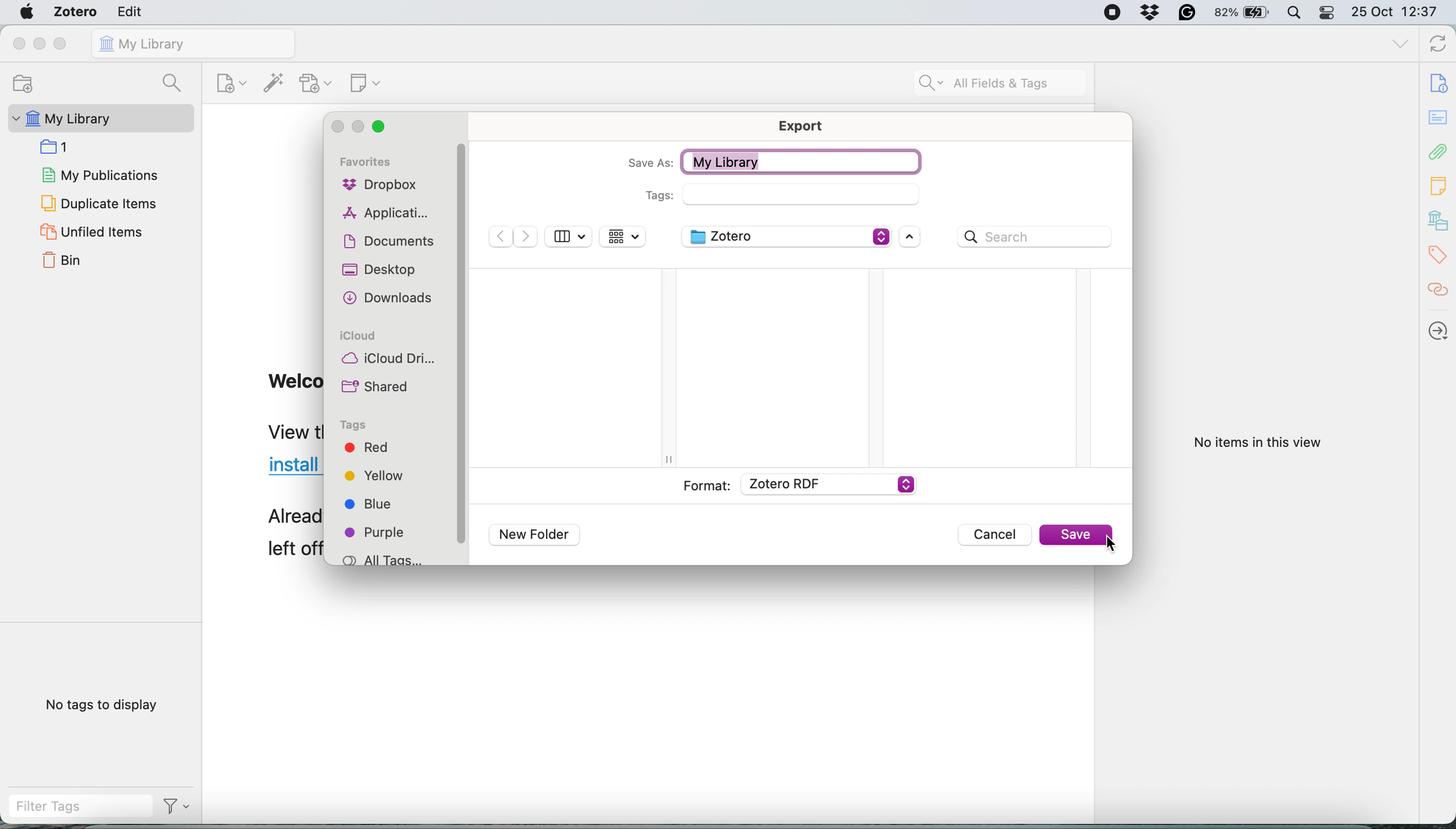 This screenshot has height=829, width=1456. What do you see at coordinates (1439, 117) in the screenshot?
I see `abstract` at bounding box center [1439, 117].